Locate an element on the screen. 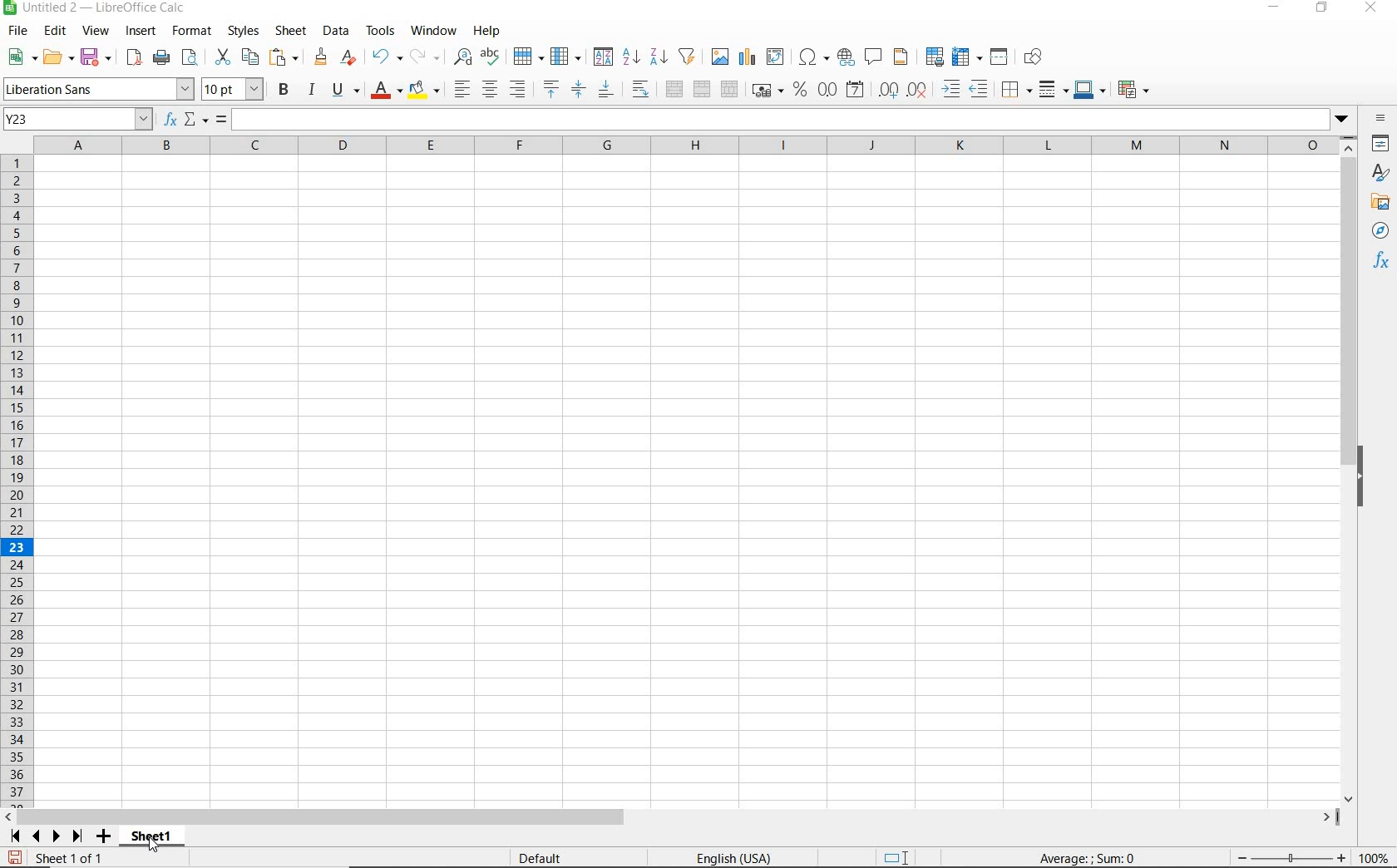 This screenshot has height=868, width=1397. FONT SIZE is located at coordinates (234, 91).